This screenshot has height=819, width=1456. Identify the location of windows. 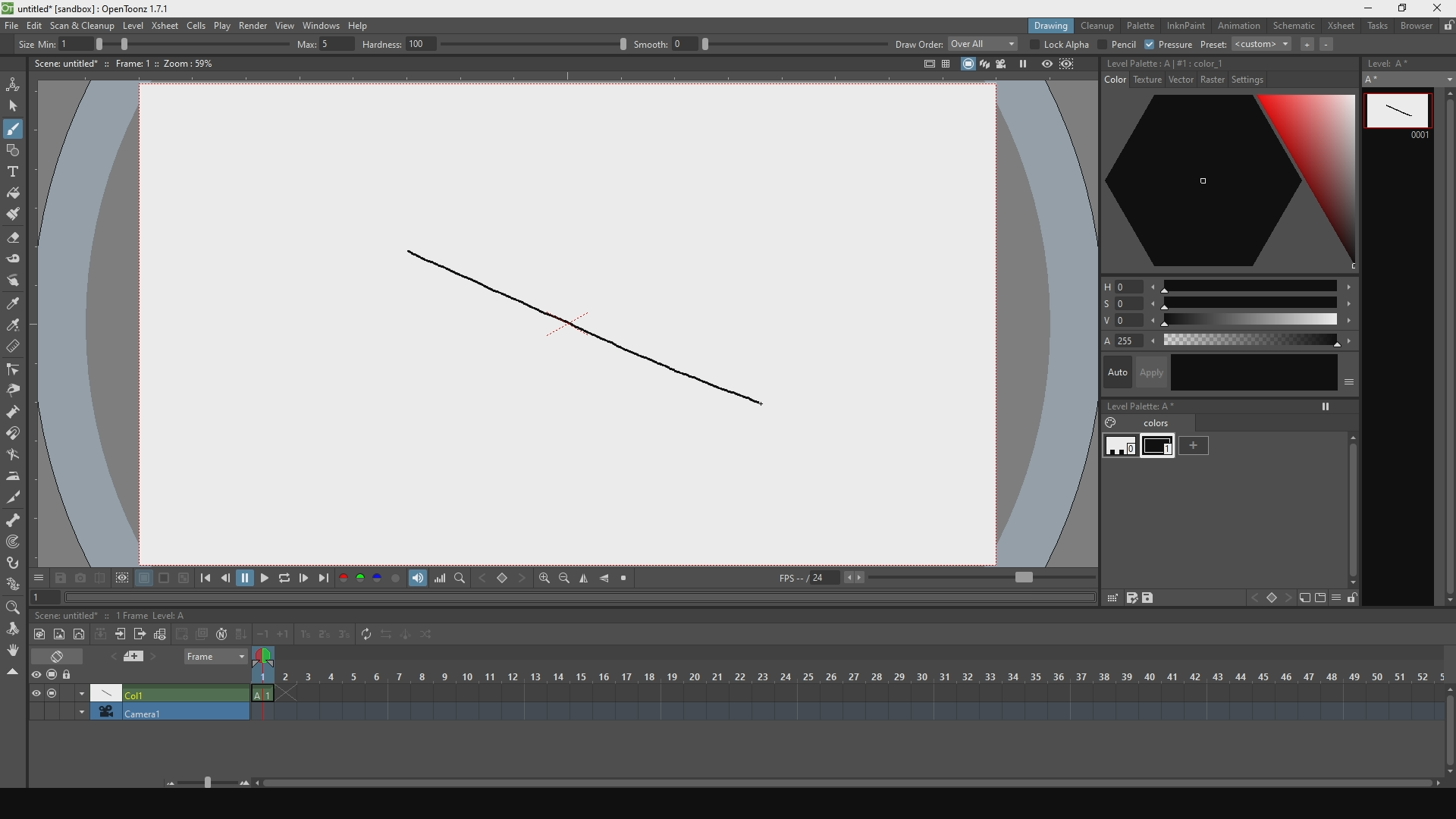
(320, 23).